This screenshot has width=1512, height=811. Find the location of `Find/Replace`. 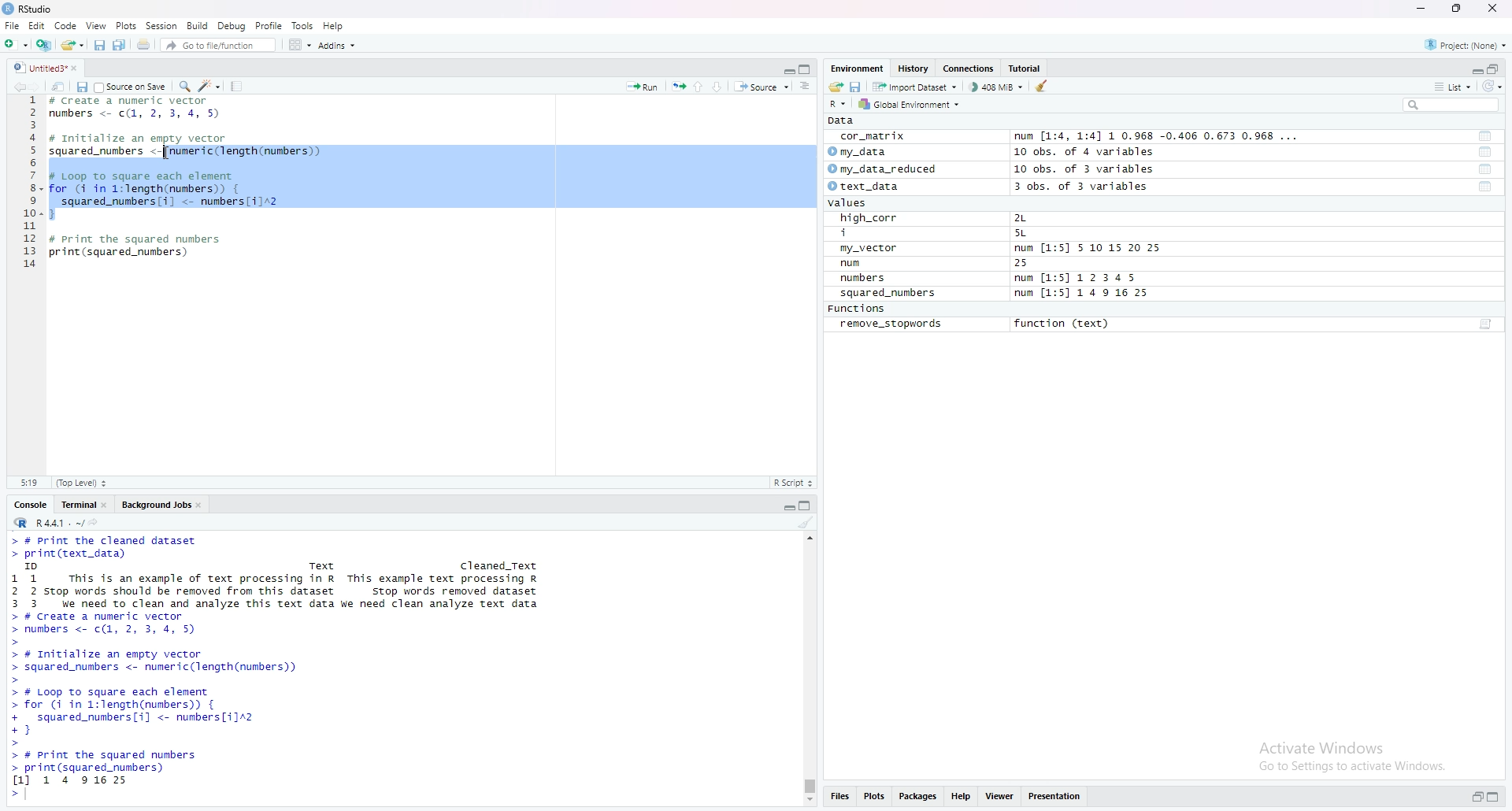

Find/Replace is located at coordinates (184, 85).